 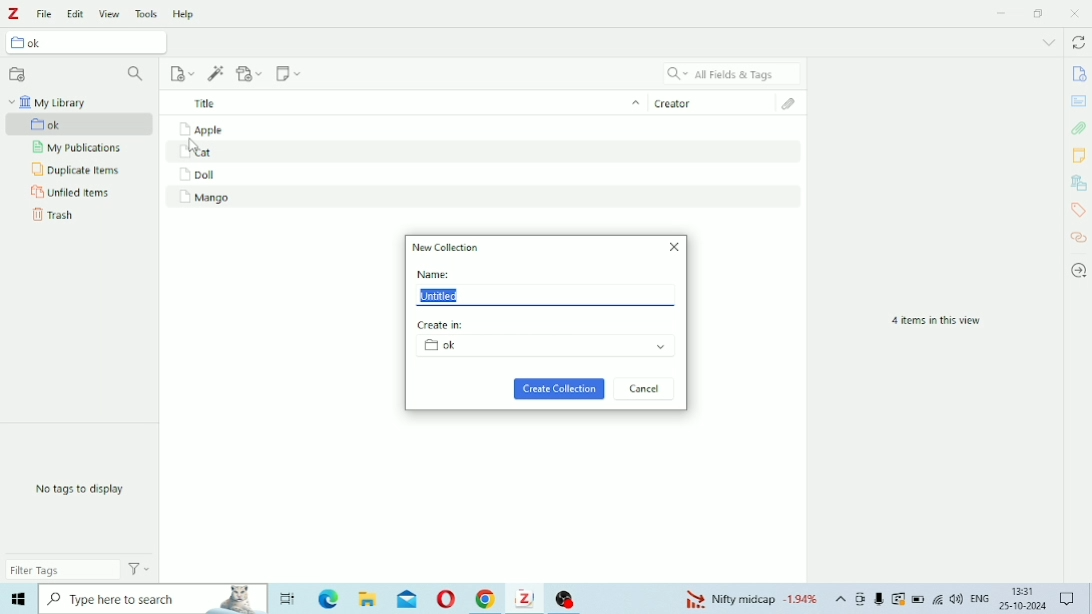 What do you see at coordinates (183, 74) in the screenshot?
I see `New Item` at bounding box center [183, 74].